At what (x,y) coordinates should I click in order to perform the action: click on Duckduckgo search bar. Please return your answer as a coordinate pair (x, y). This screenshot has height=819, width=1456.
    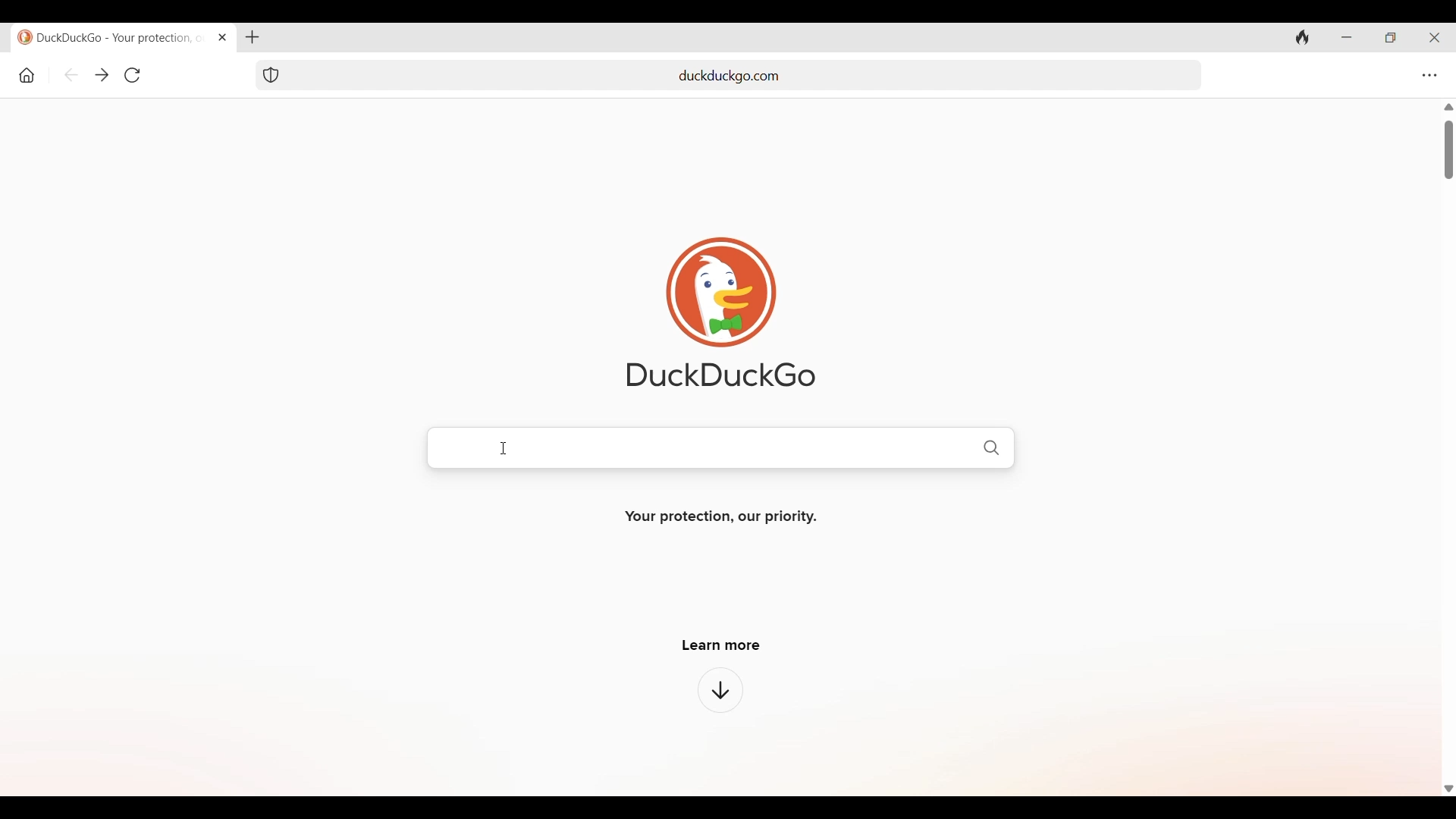
    Looking at the image, I should click on (722, 448).